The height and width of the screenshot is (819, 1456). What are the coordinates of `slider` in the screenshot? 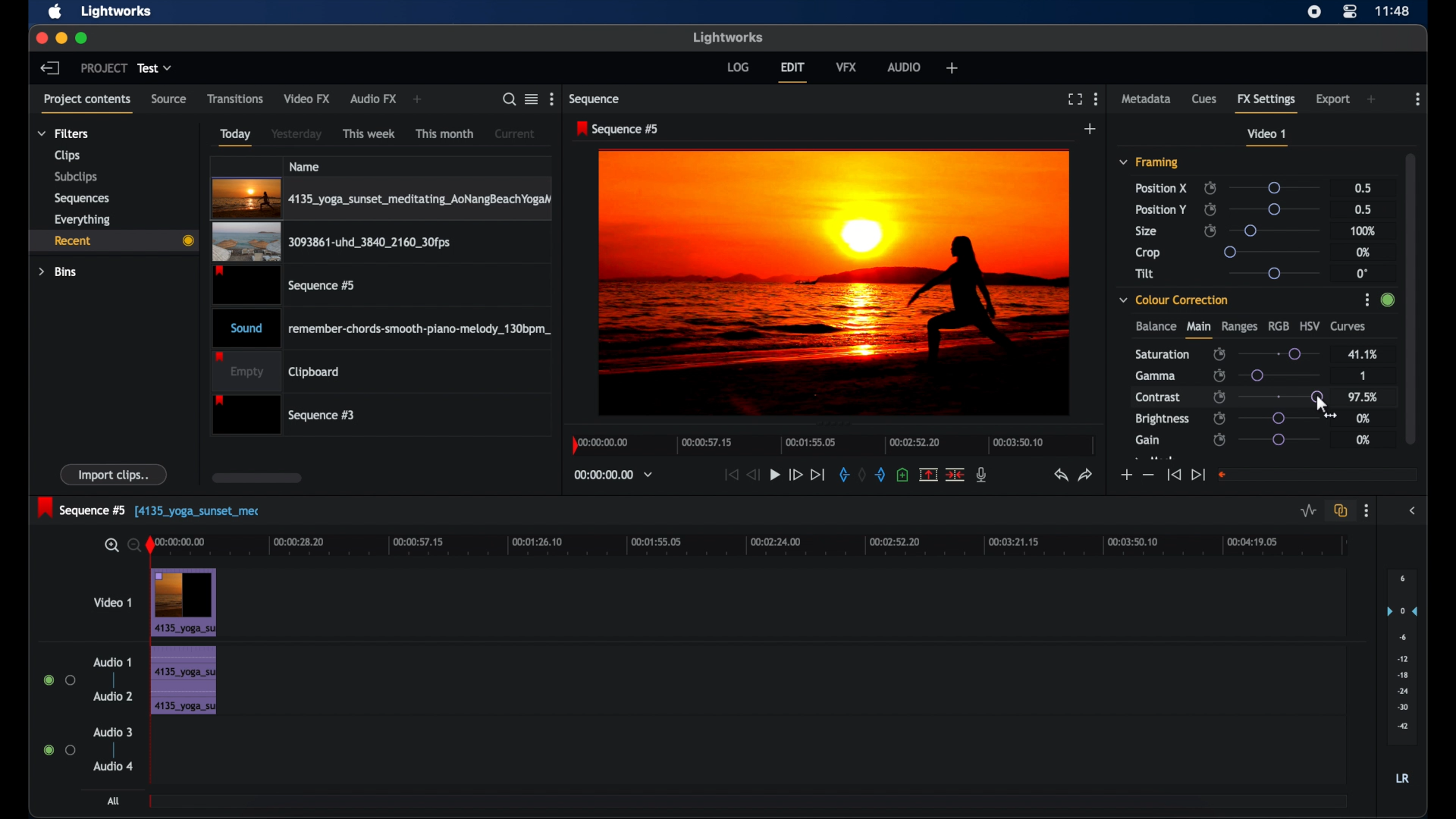 It's located at (1284, 375).